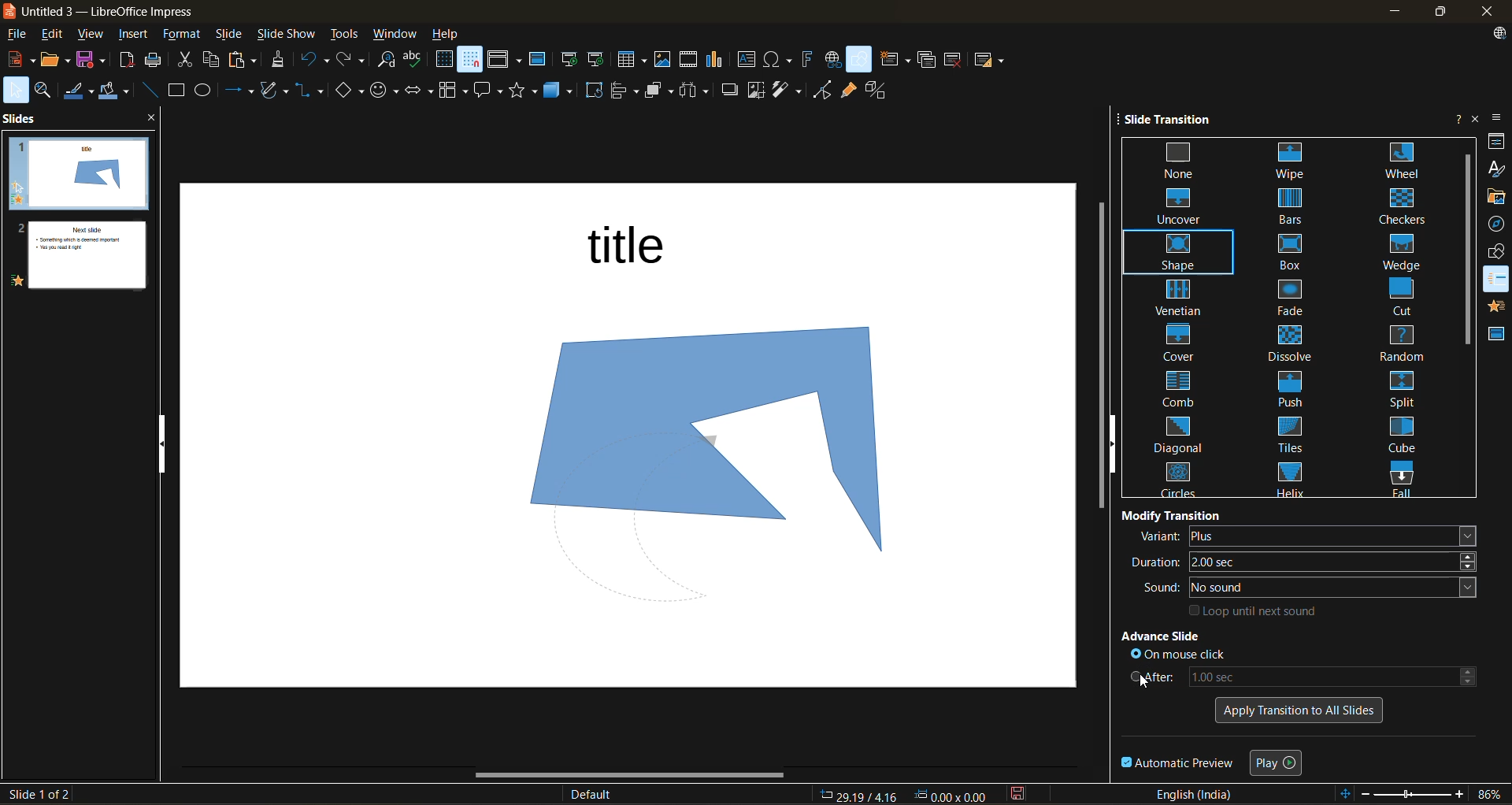 The width and height of the screenshot is (1512, 805). I want to click on image, so click(691, 440).